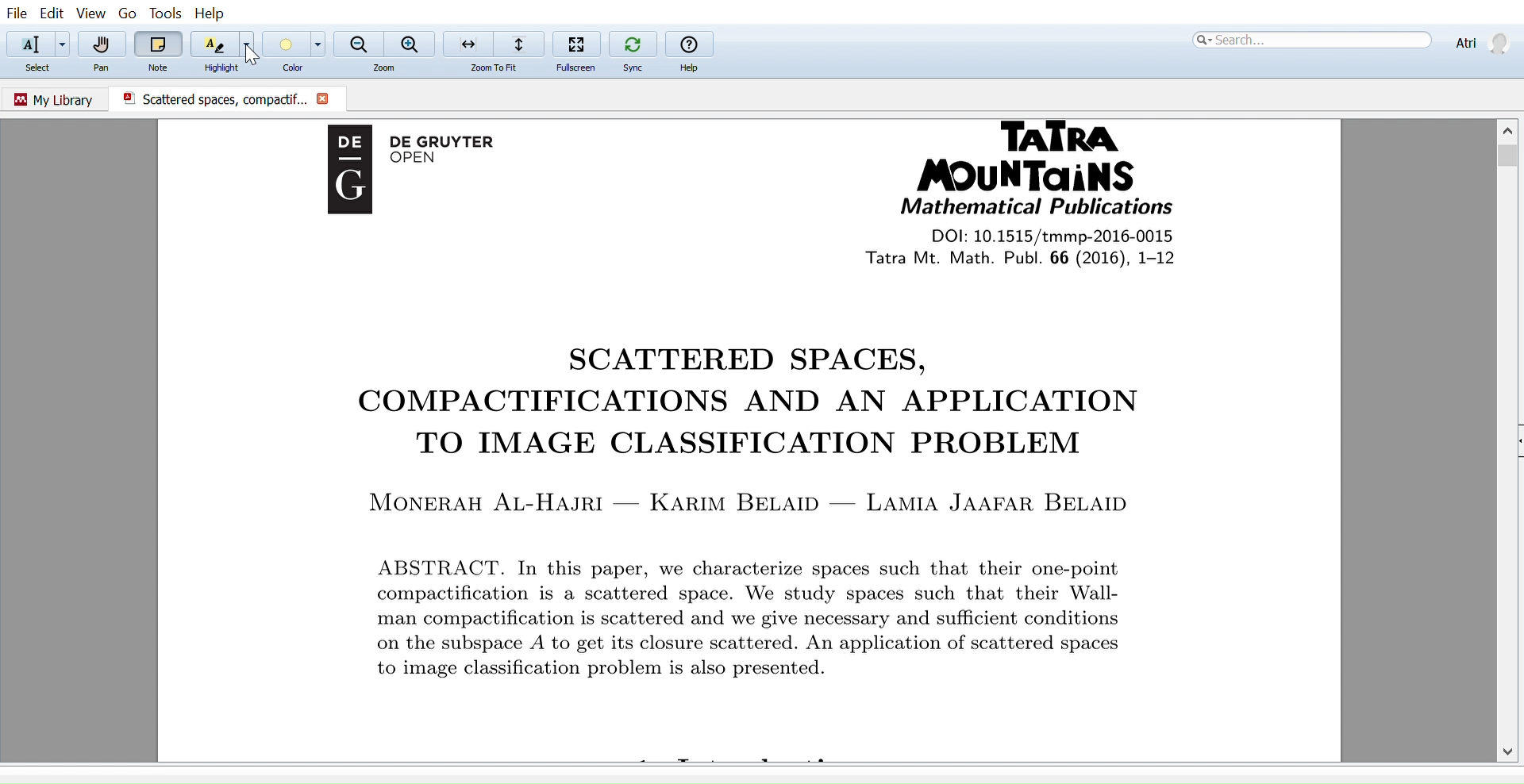  Describe the element at coordinates (1036, 208) in the screenshot. I see `Mathematical Publications` at that location.